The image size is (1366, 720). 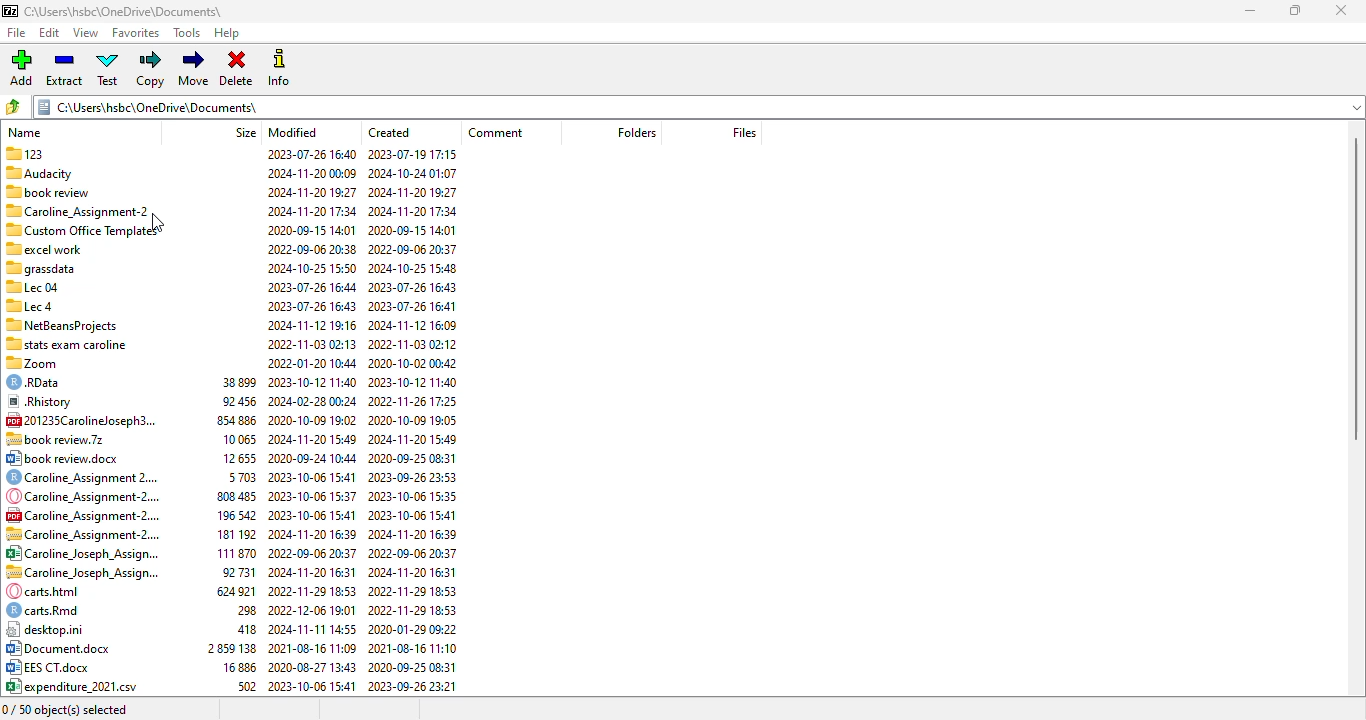 I want to click on 624921, so click(x=230, y=591).